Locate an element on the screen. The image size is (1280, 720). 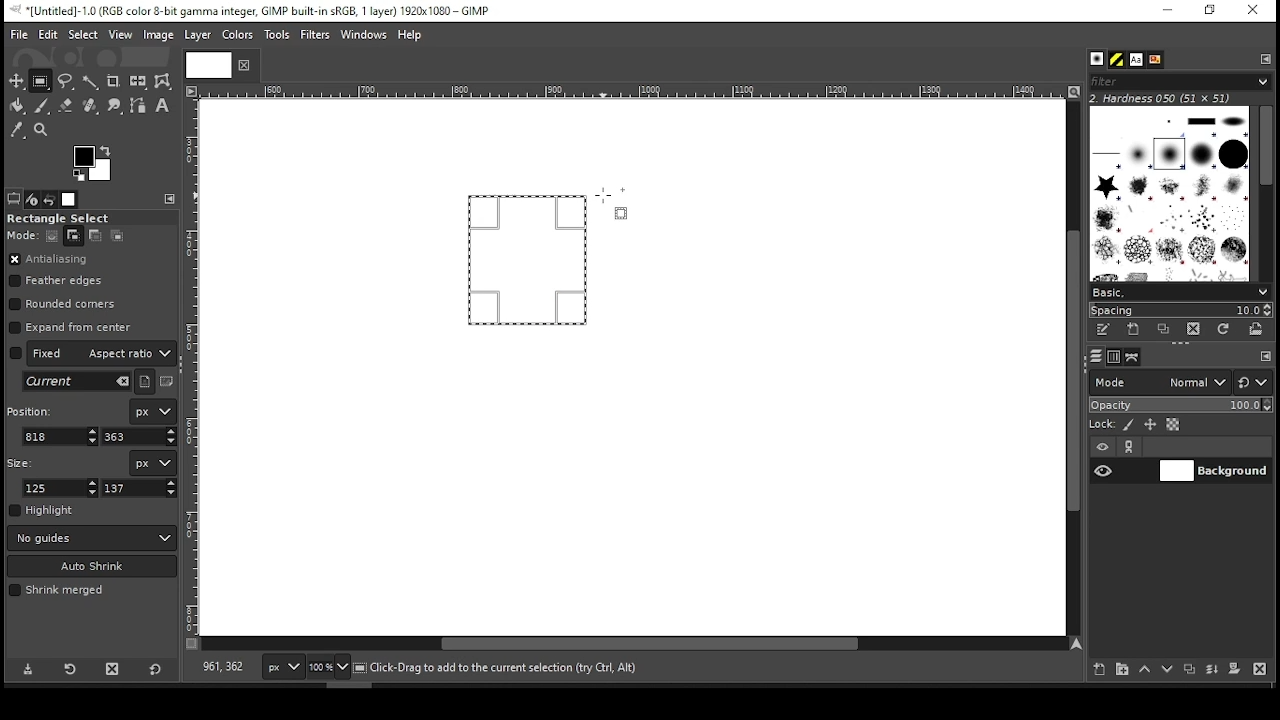
intersect with the current selection is located at coordinates (116, 235).